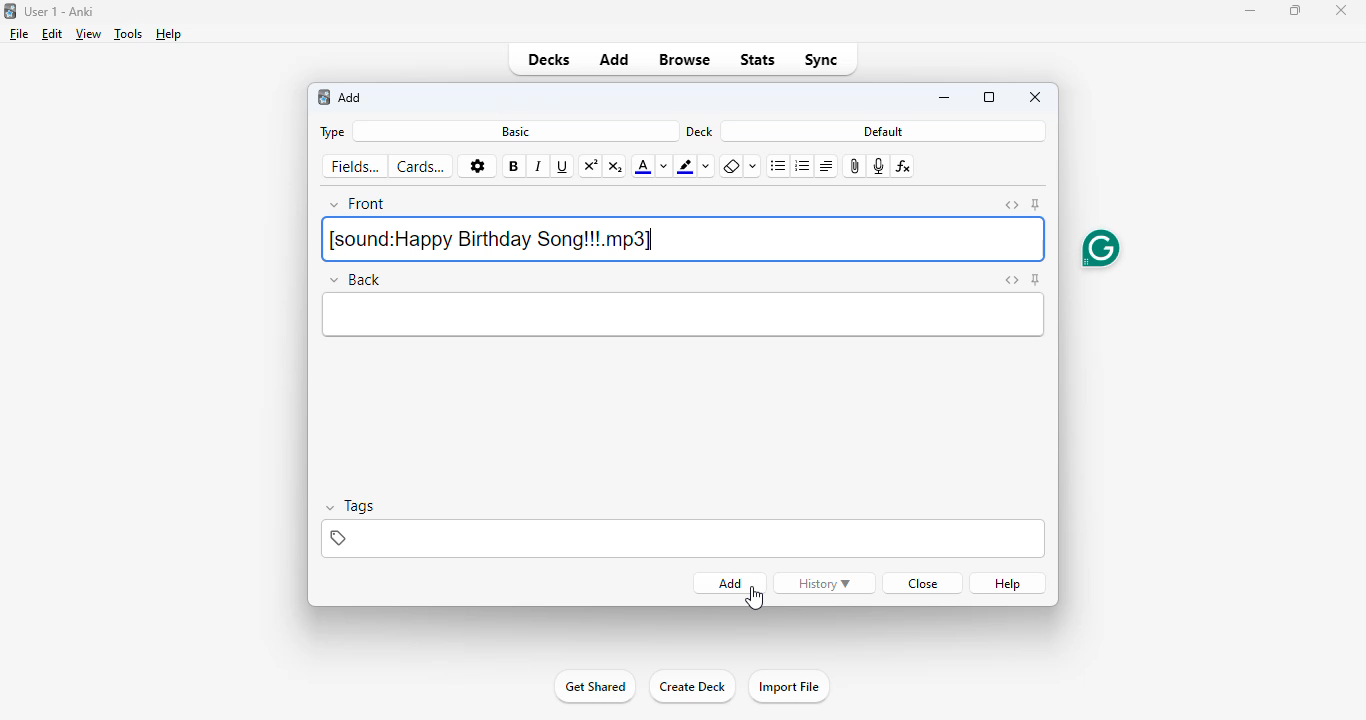  What do you see at coordinates (989, 97) in the screenshot?
I see `maximize` at bounding box center [989, 97].